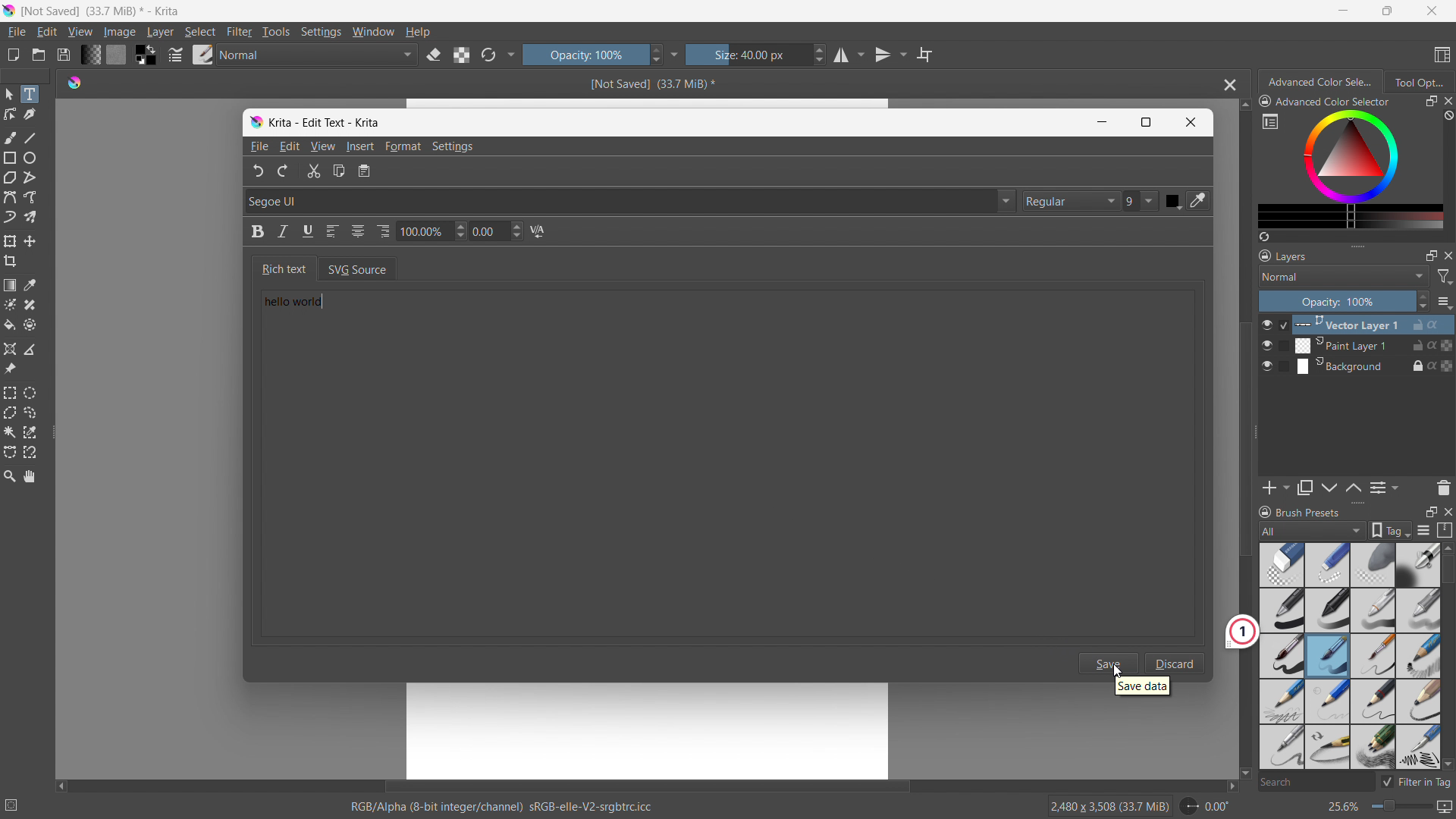  I want to click on Discard, so click(1176, 663).